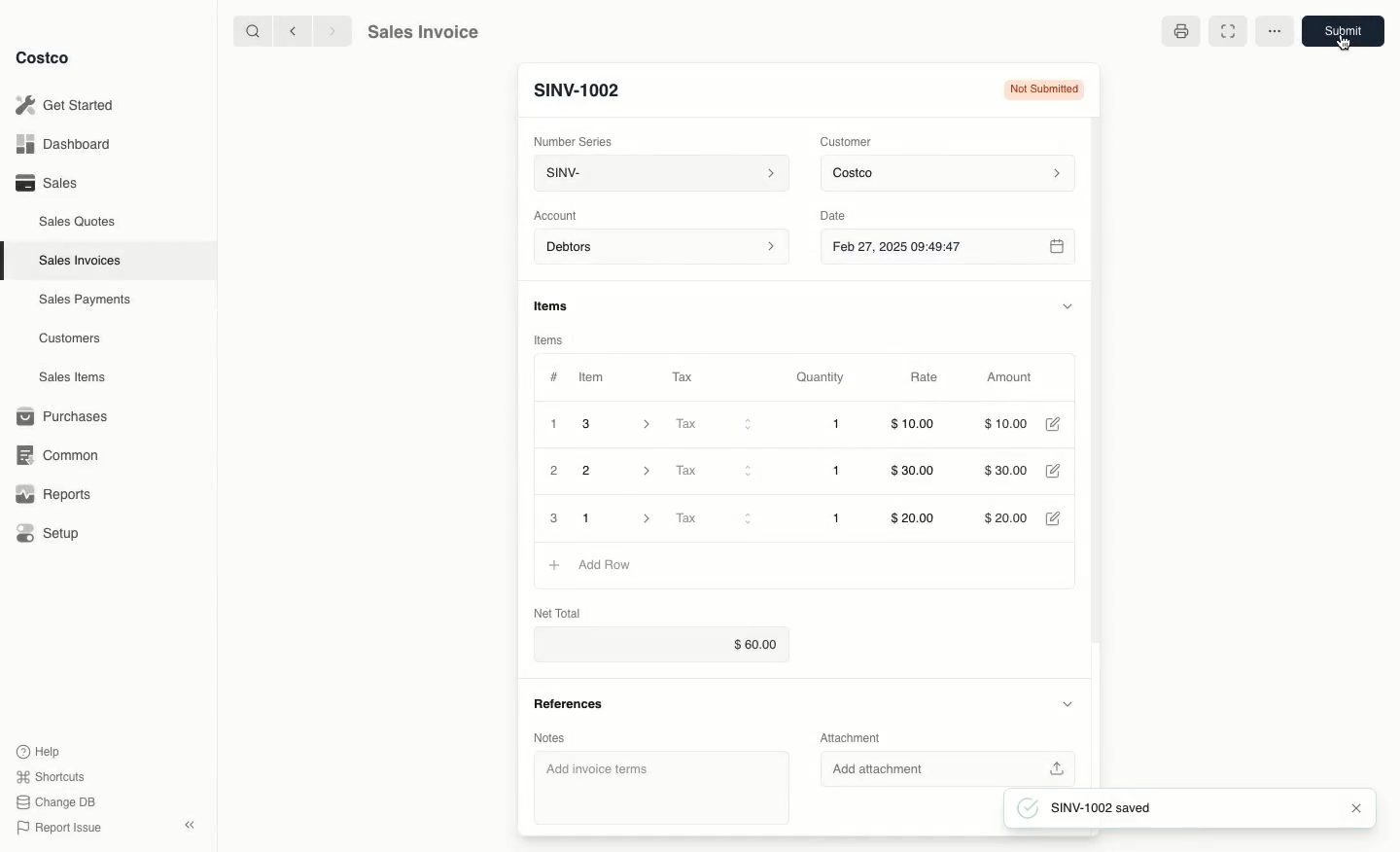 Image resolution: width=1400 pixels, height=852 pixels. Describe the element at coordinates (85, 298) in the screenshot. I see `‘Sales Payments` at that location.